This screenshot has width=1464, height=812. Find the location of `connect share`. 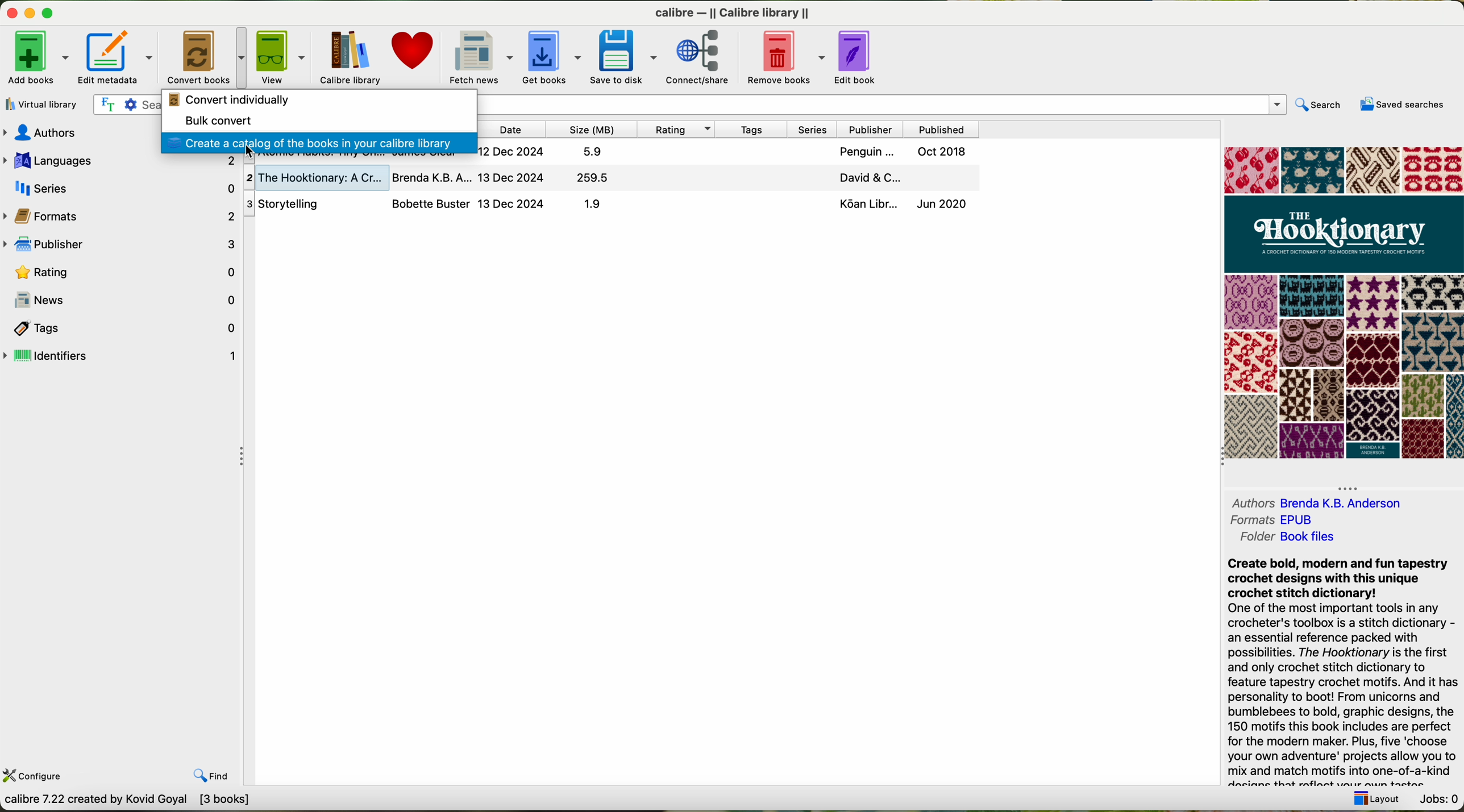

connect share is located at coordinates (704, 58).